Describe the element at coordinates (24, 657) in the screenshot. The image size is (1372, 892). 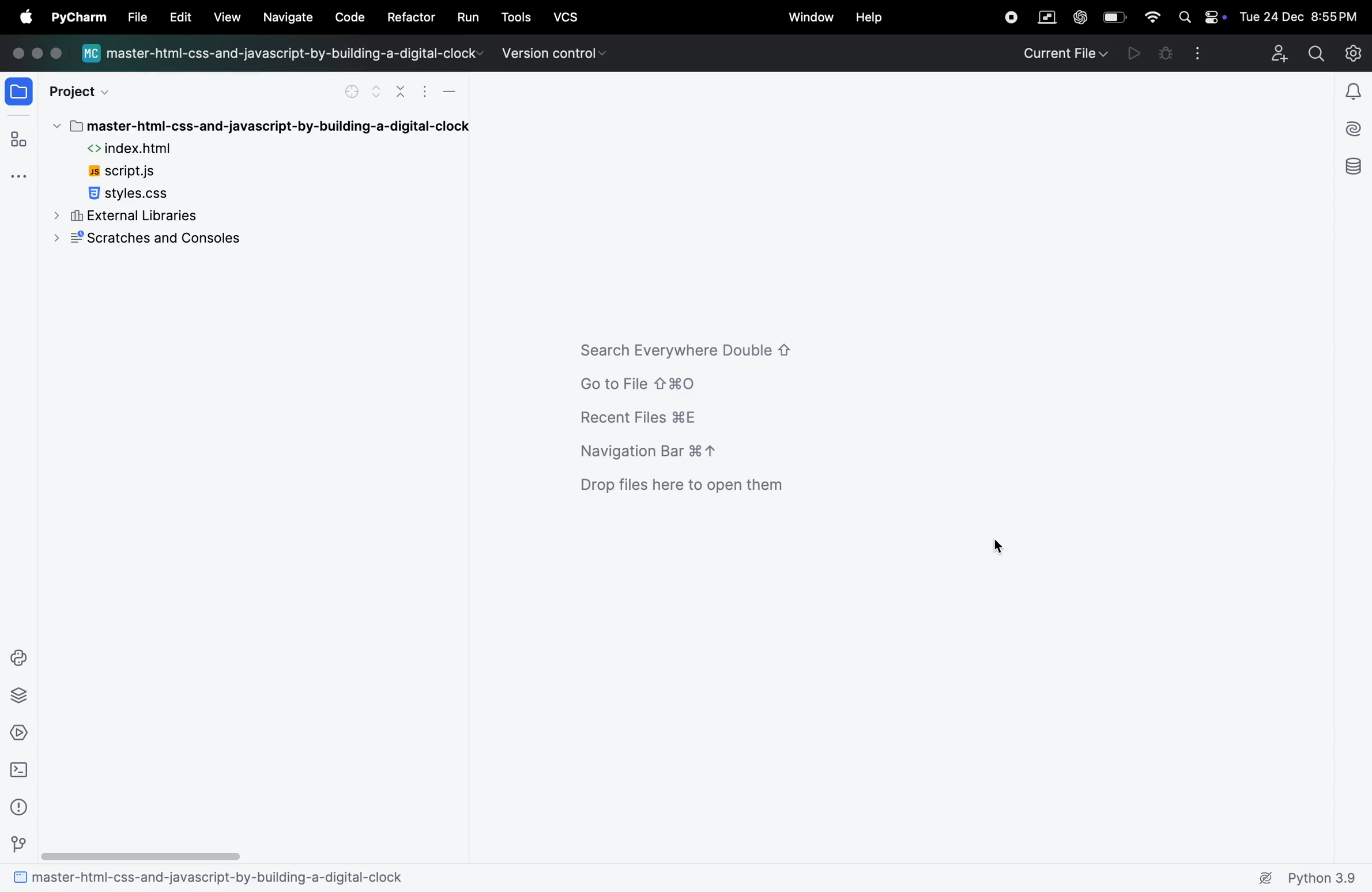
I see `python console` at that location.